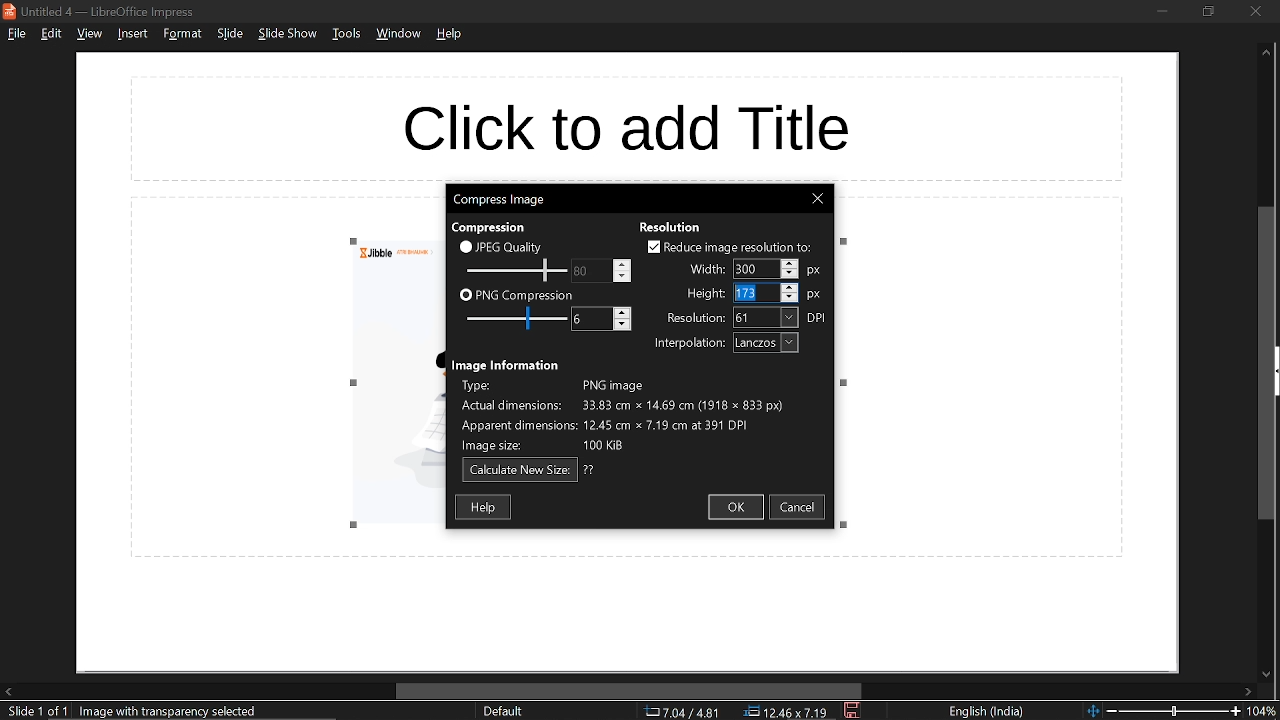 Image resolution: width=1280 pixels, height=720 pixels. What do you see at coordinates (88, 35) in the screenshot?
I see `view` at bounding box center [88, 35].